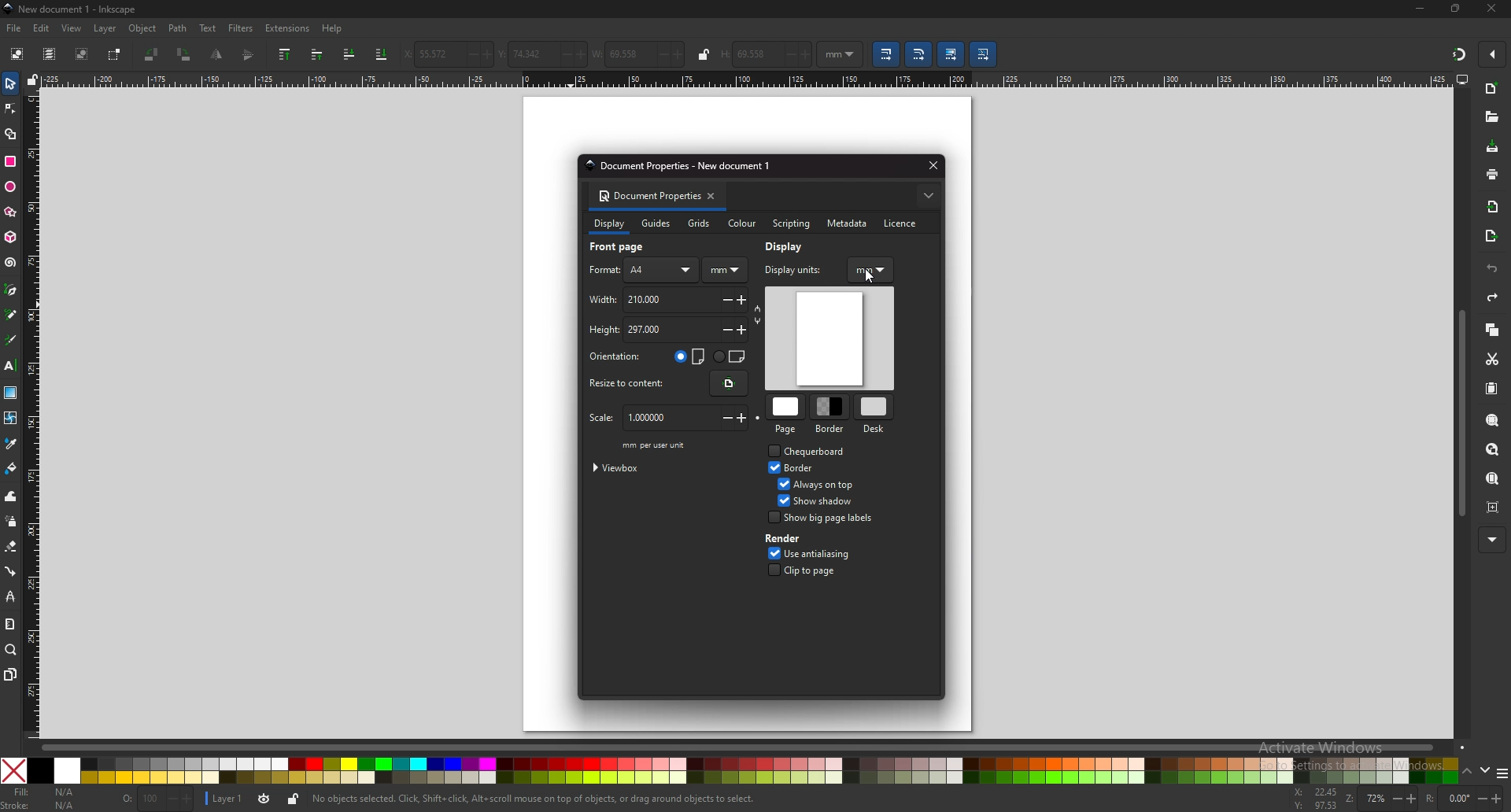 This screenshot has width=1511, height=812. Describe the element at coordinates (157, 800) in the screenshot. I see `nothing selected` at that location.